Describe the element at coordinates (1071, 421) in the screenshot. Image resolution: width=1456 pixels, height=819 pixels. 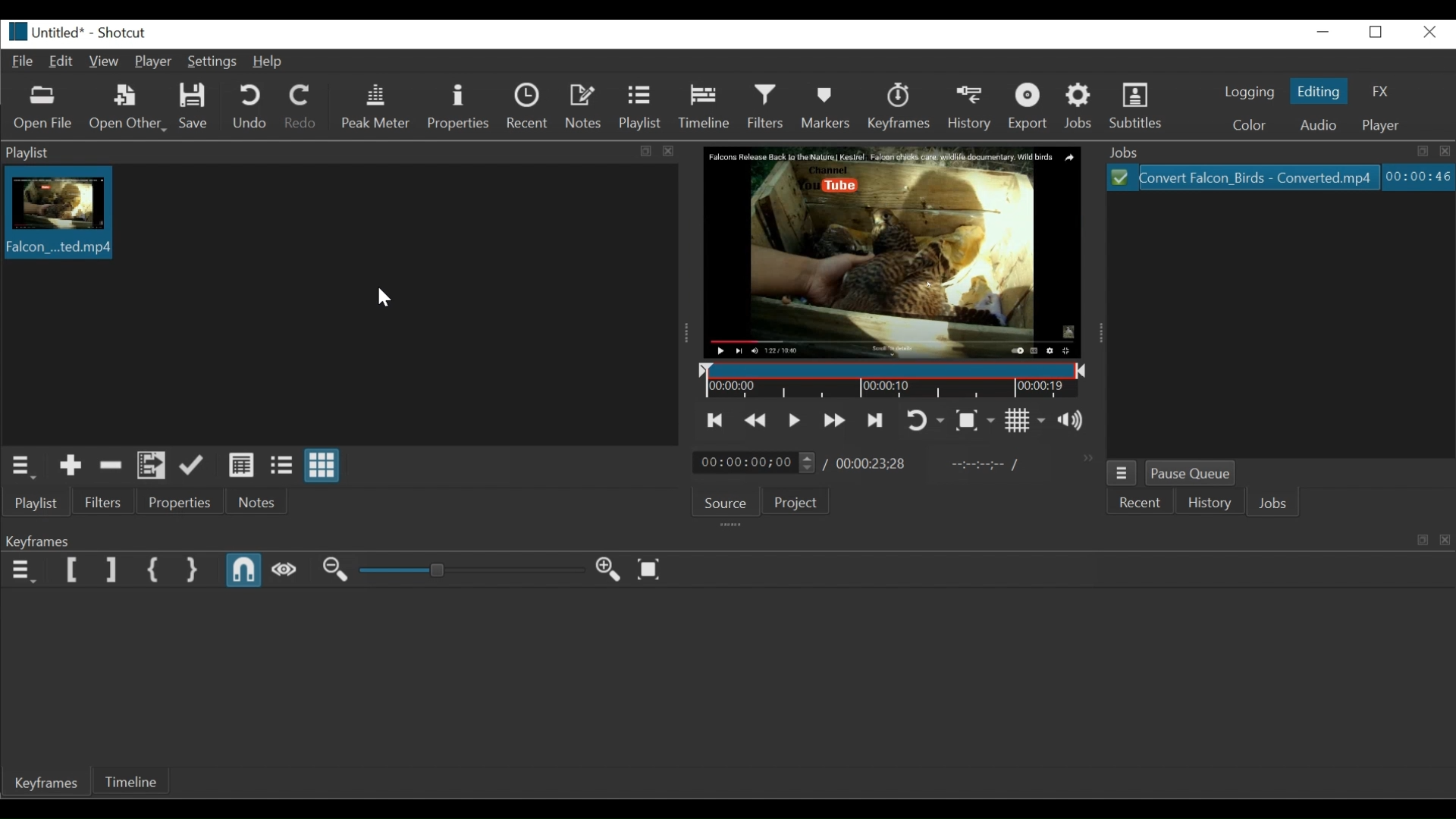
I see `Show the volume control` at that location.